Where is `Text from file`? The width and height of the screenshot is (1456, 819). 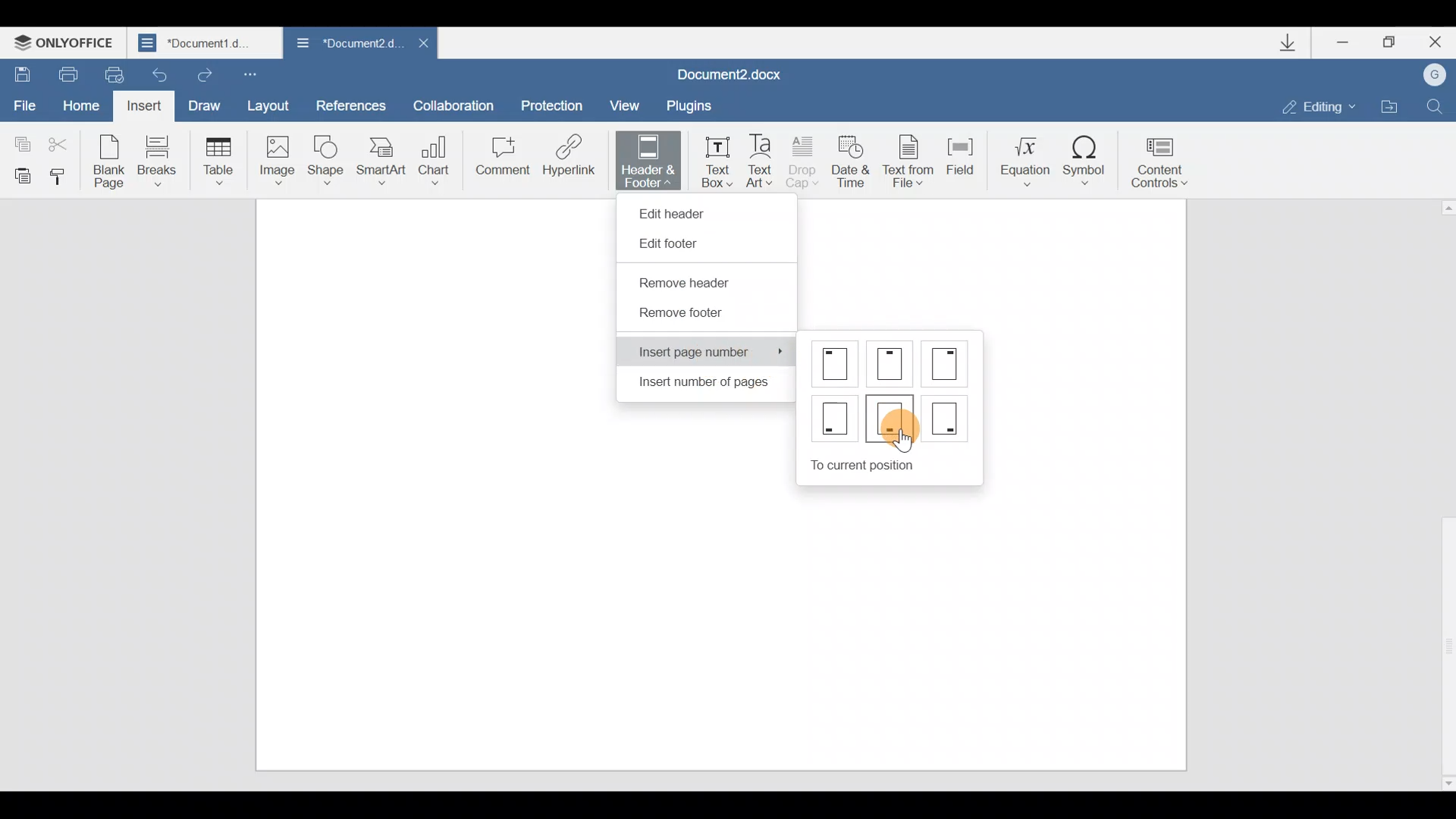
Text from file is located at coordinates (904, 158).